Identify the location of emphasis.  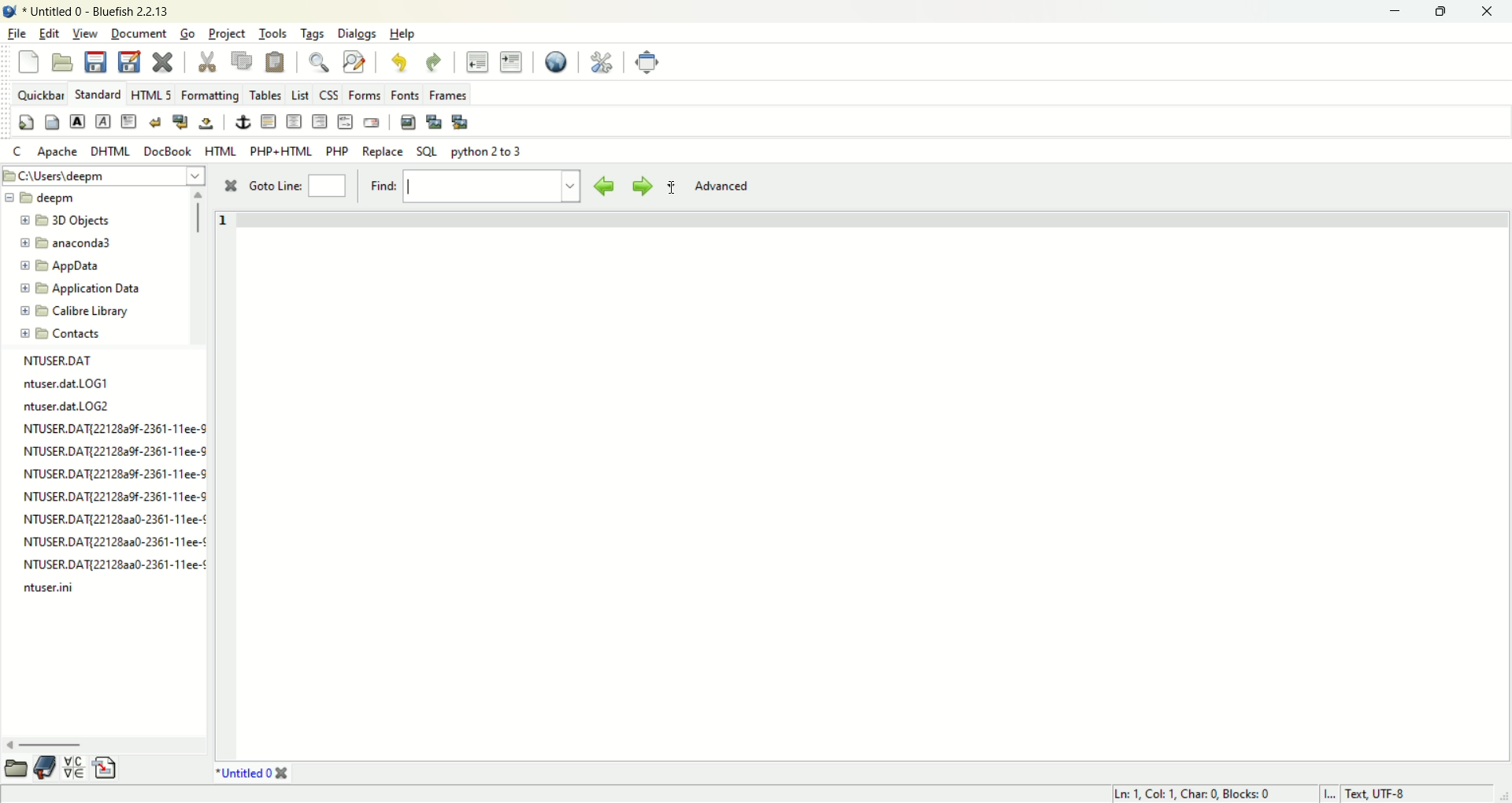
(103, 122).